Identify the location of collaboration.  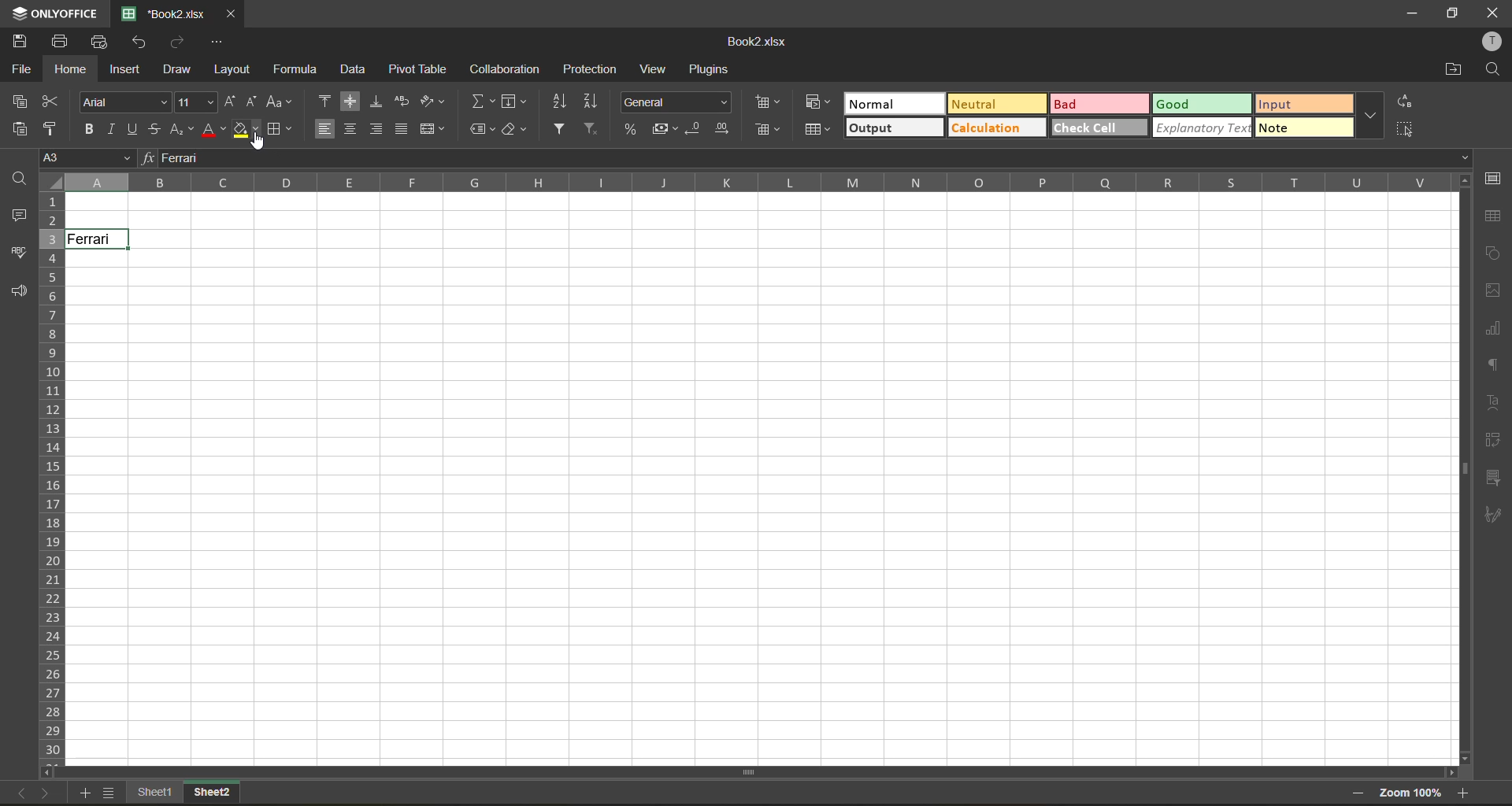
(507, 70).